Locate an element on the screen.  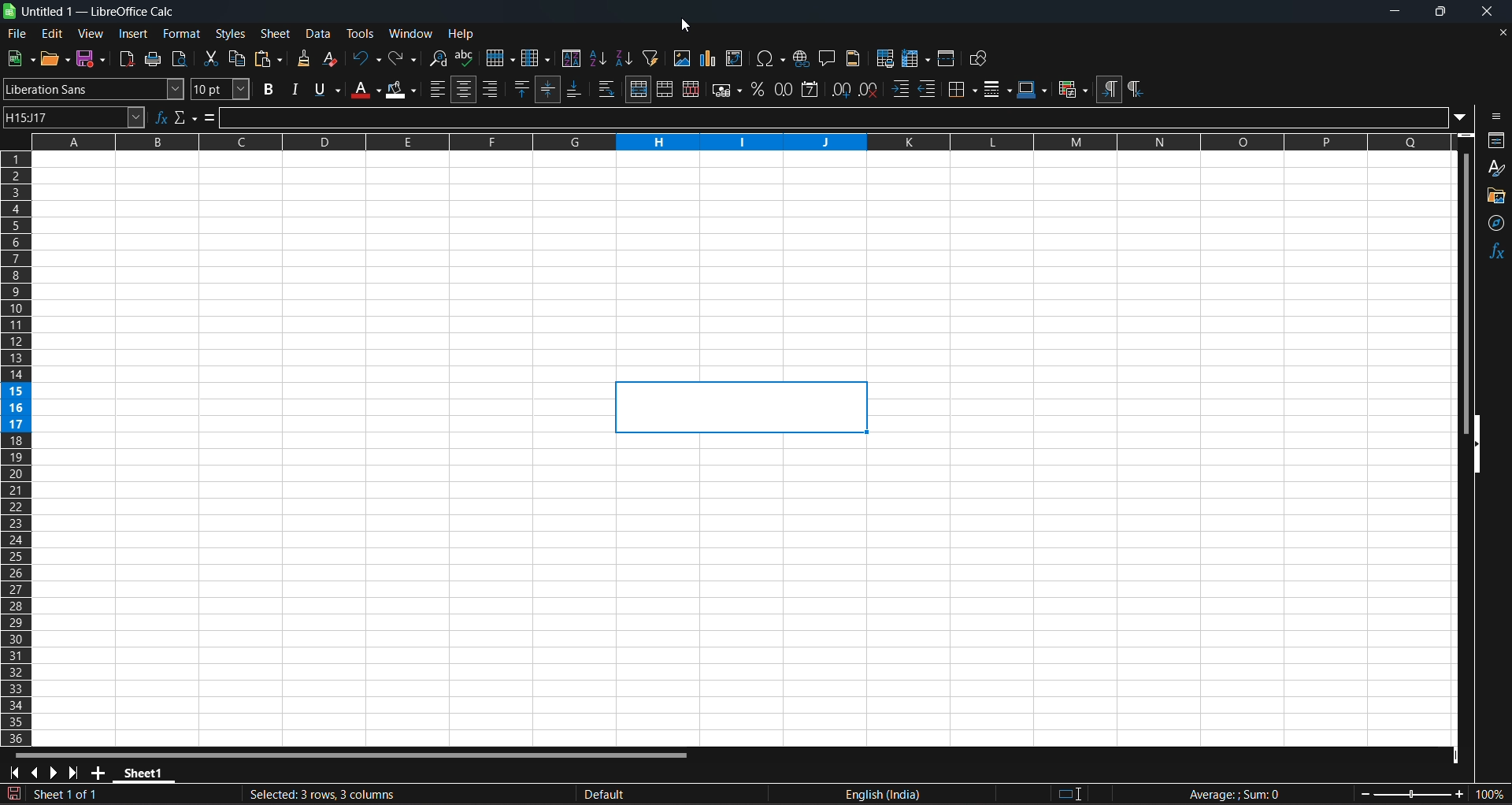
edit is located at coordinates (51, 34).